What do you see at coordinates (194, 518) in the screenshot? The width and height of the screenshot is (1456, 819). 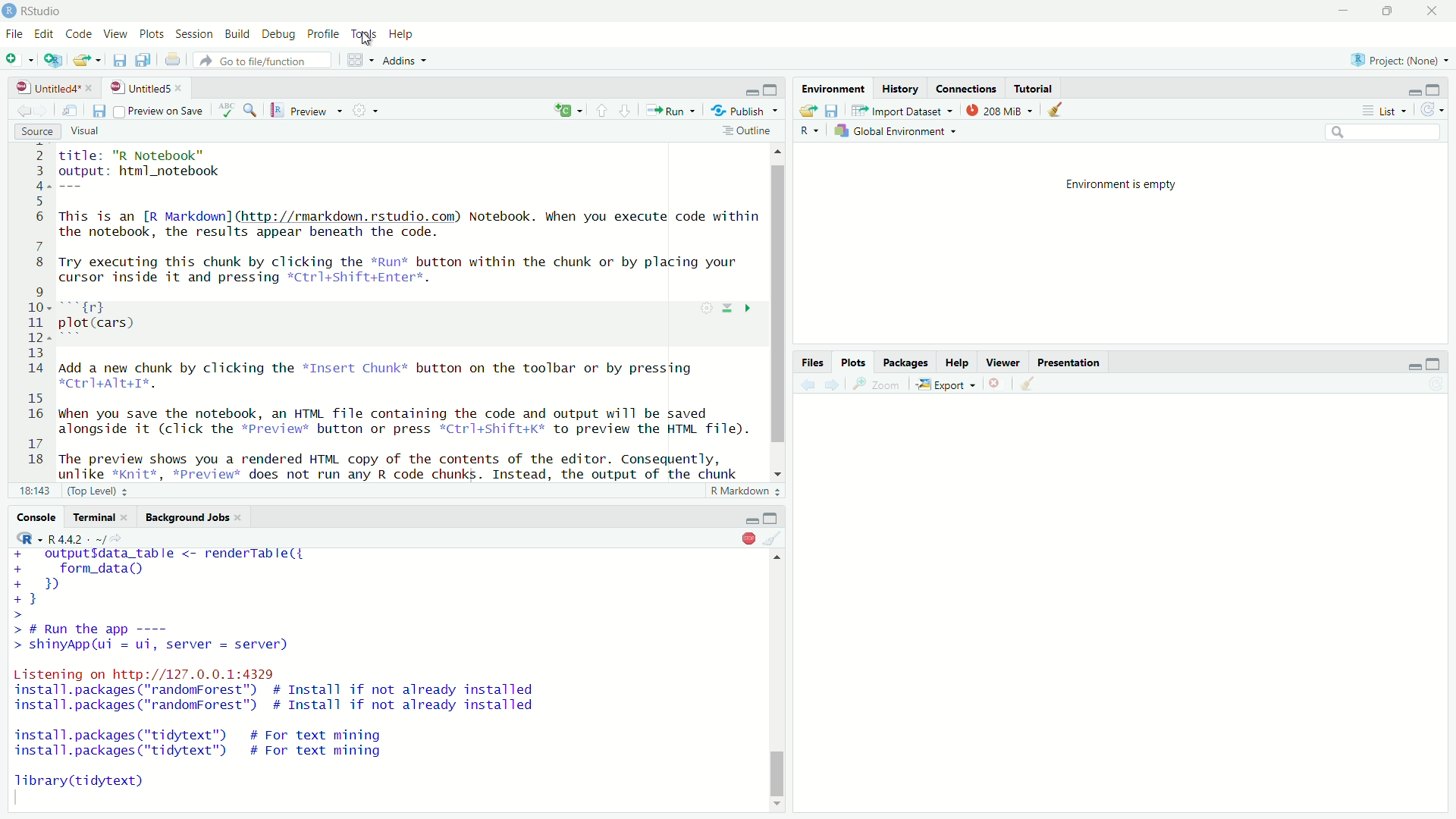 I see `Background Jobs` at bounding box center [194, 518].